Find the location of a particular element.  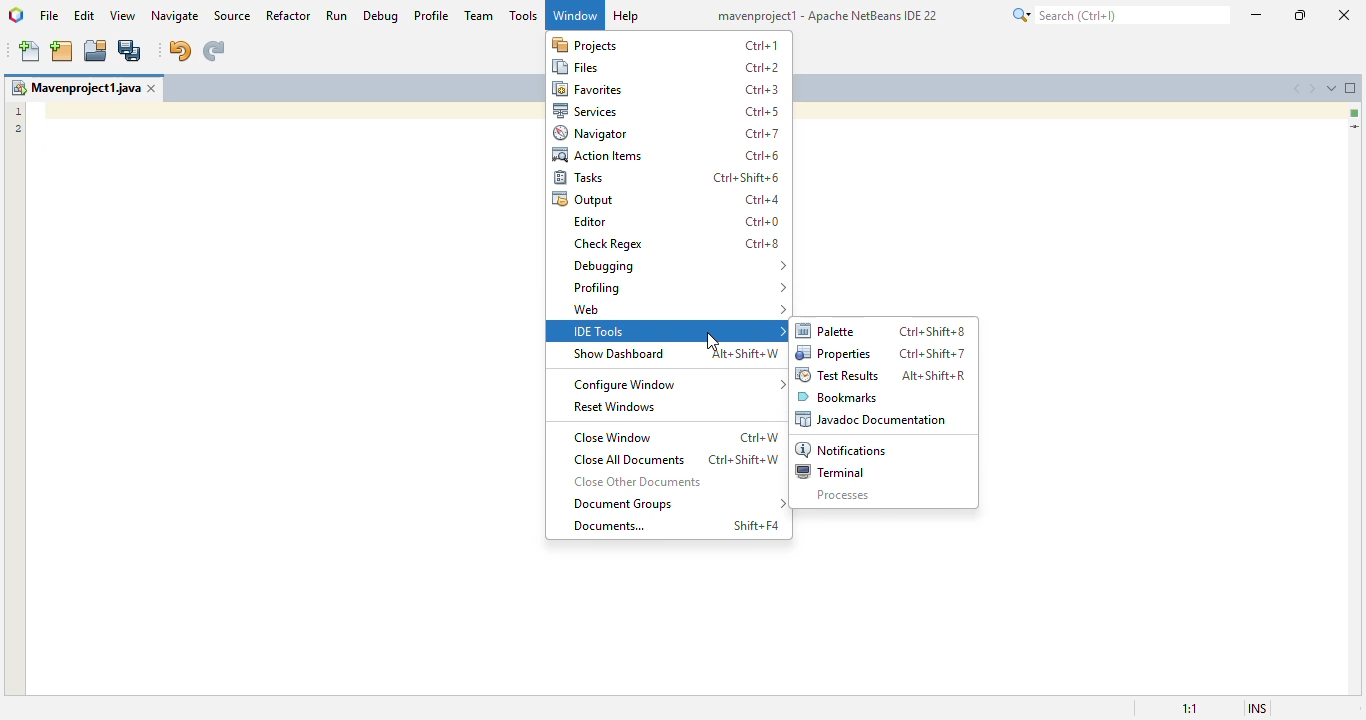

notifications is located at coordinates (840, 449).